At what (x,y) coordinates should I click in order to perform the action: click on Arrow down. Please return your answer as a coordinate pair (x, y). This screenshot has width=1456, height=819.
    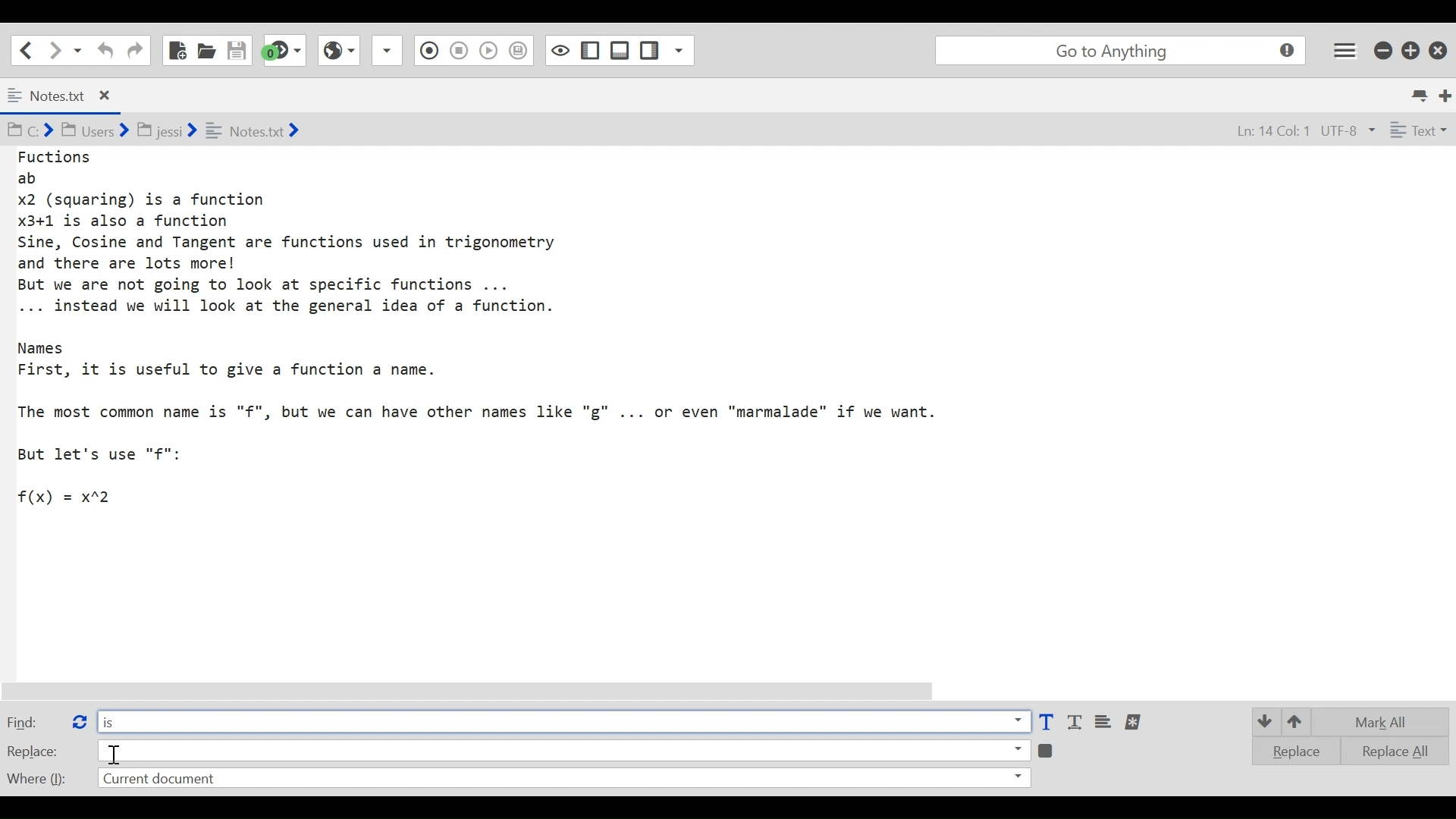
    Looking at the image, I should click on (1263, 720).